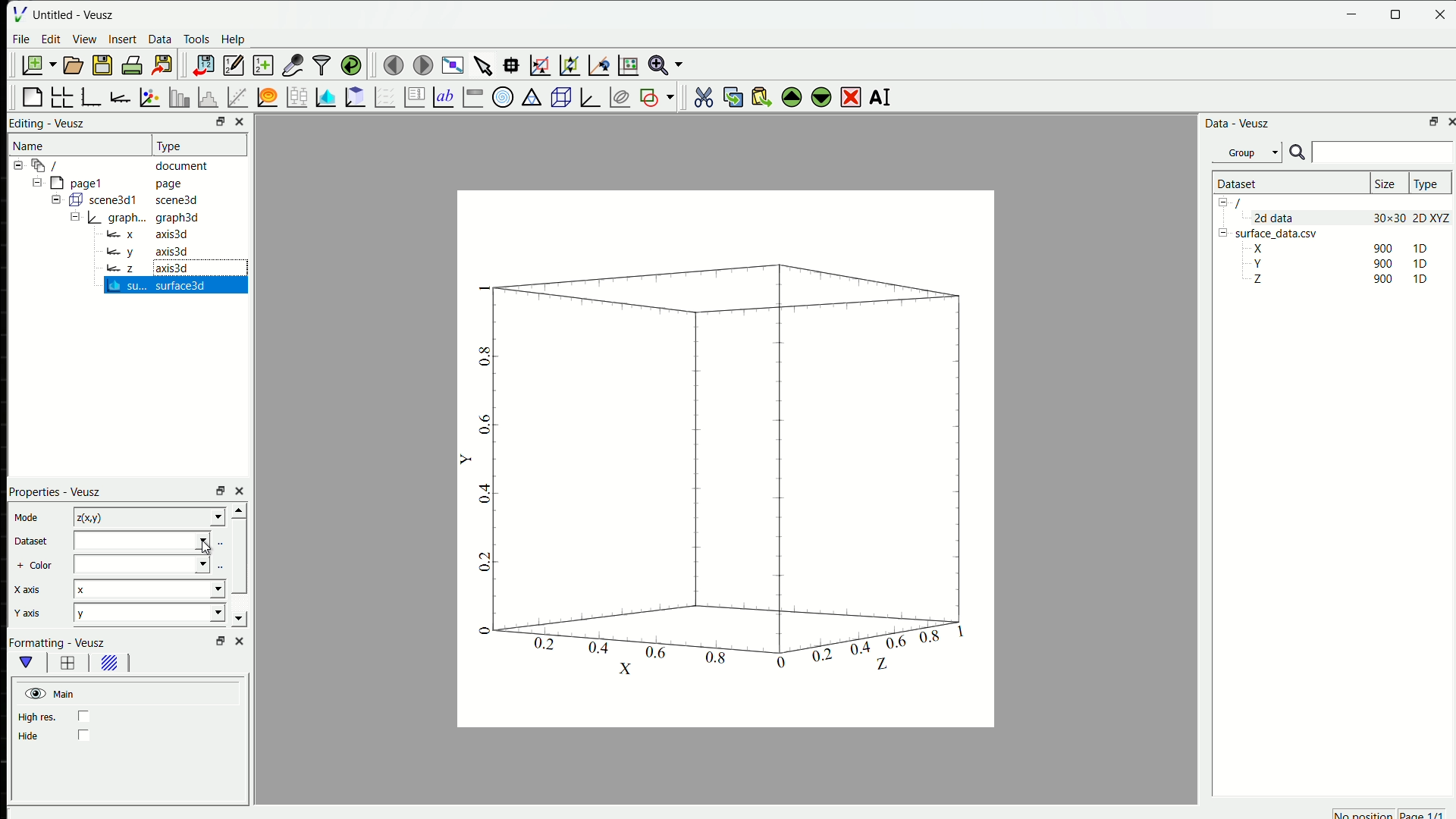 The image size is (1456, 819). Describe the element at coordinates (93, 96) in the screenshot. I see `base graph` at that location.